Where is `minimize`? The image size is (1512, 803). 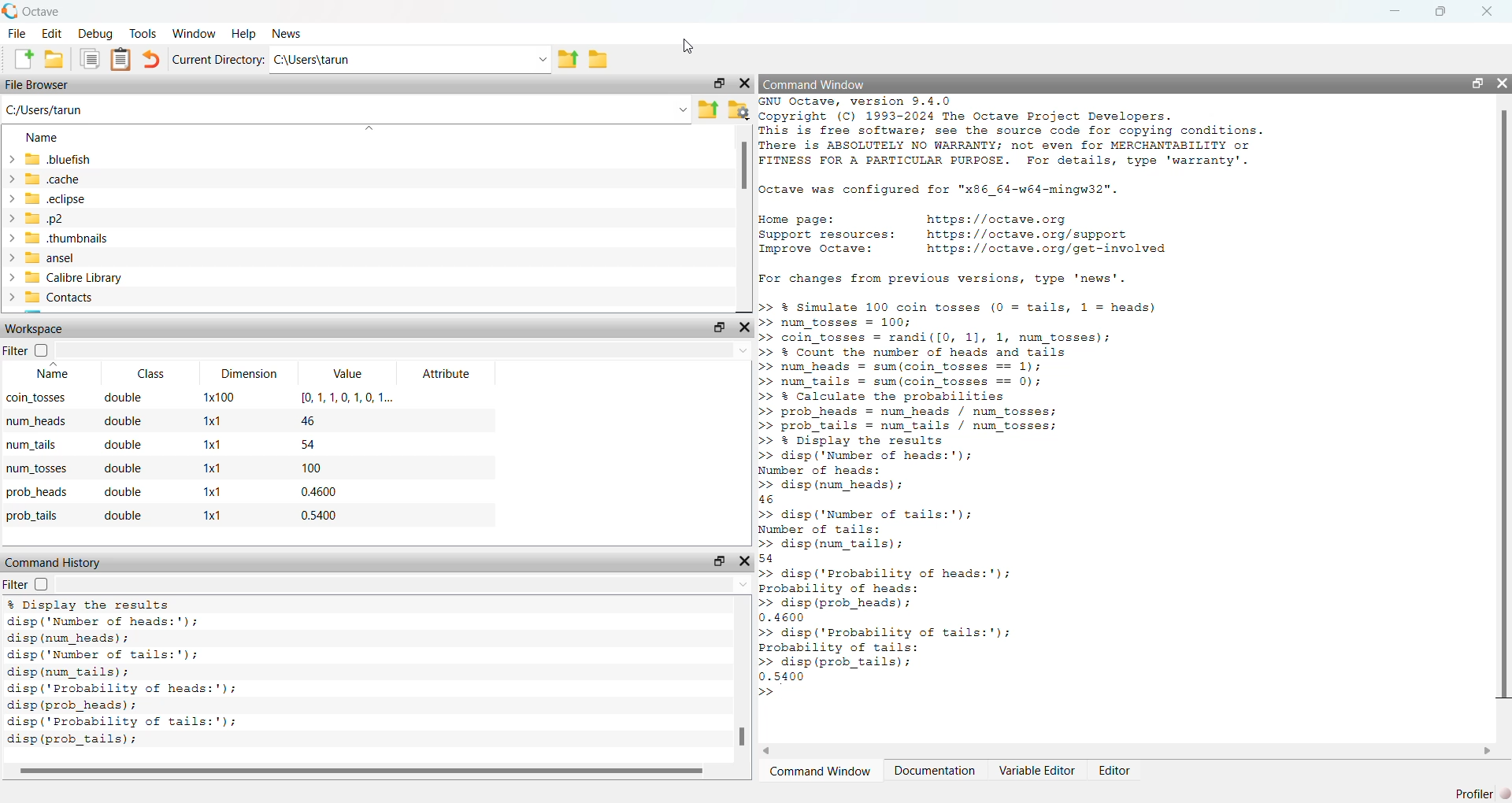 minimize is located at coordinates (1393, 11).